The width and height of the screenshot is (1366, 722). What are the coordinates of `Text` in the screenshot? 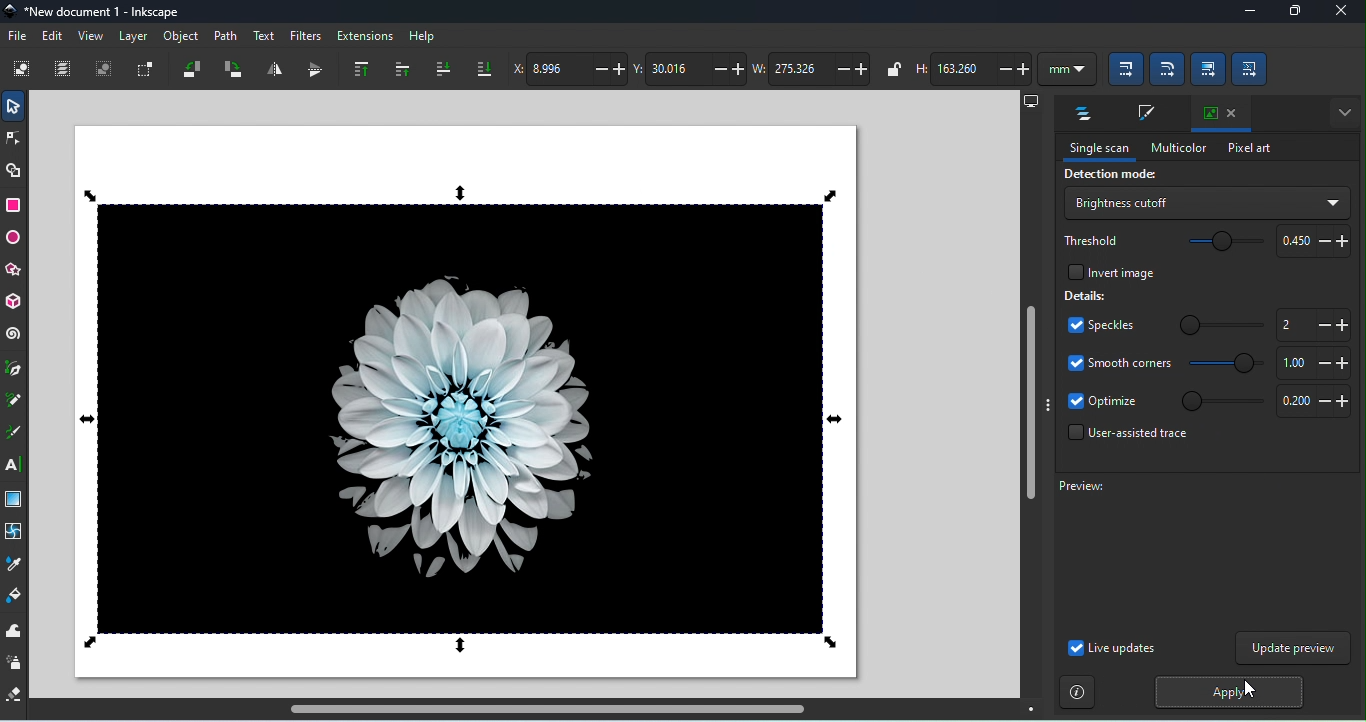 It's located at (264, 34).